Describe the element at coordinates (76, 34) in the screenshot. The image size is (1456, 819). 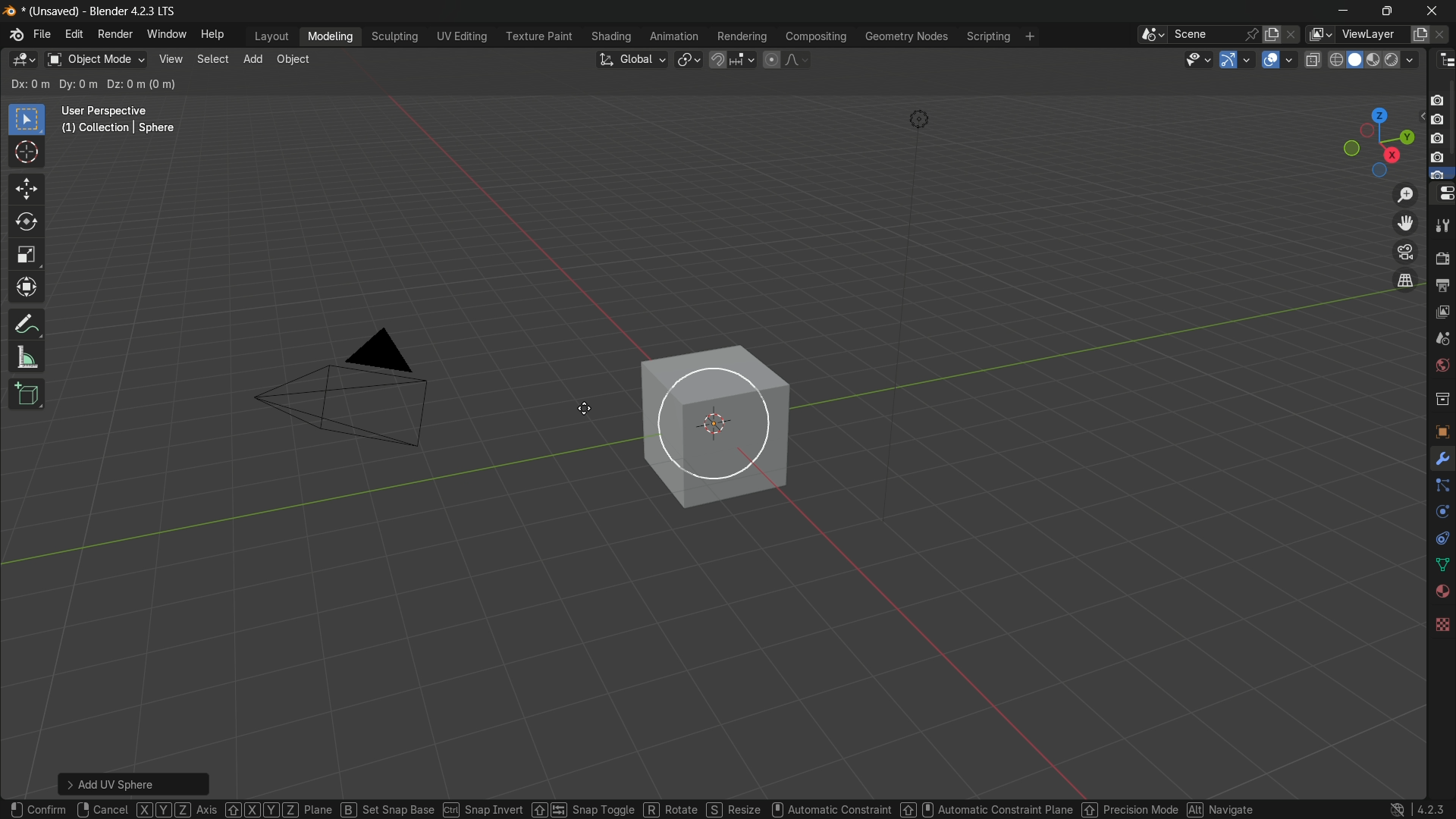
I see `edit menu` at that location.